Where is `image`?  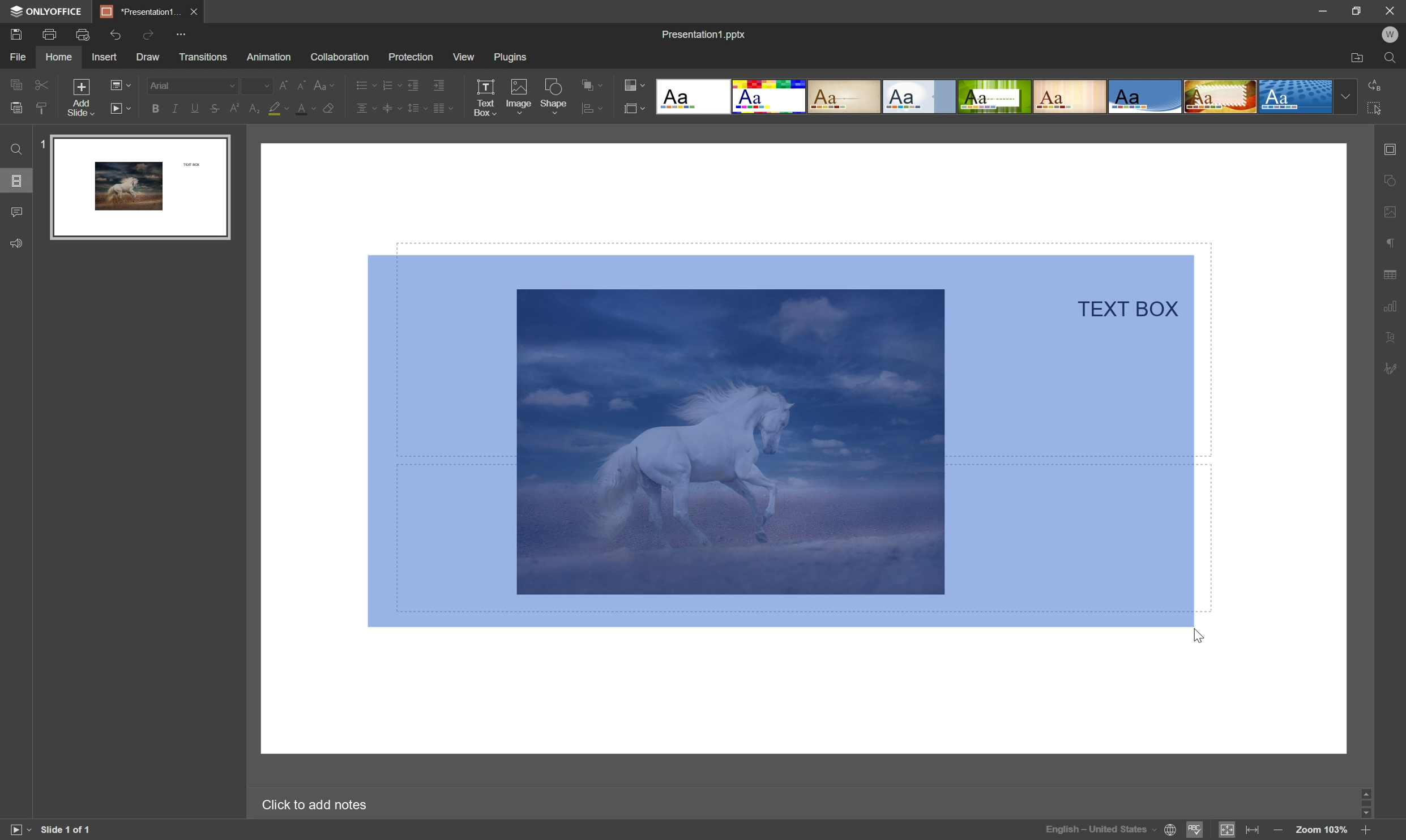
image is located at coordinates (518, 95).